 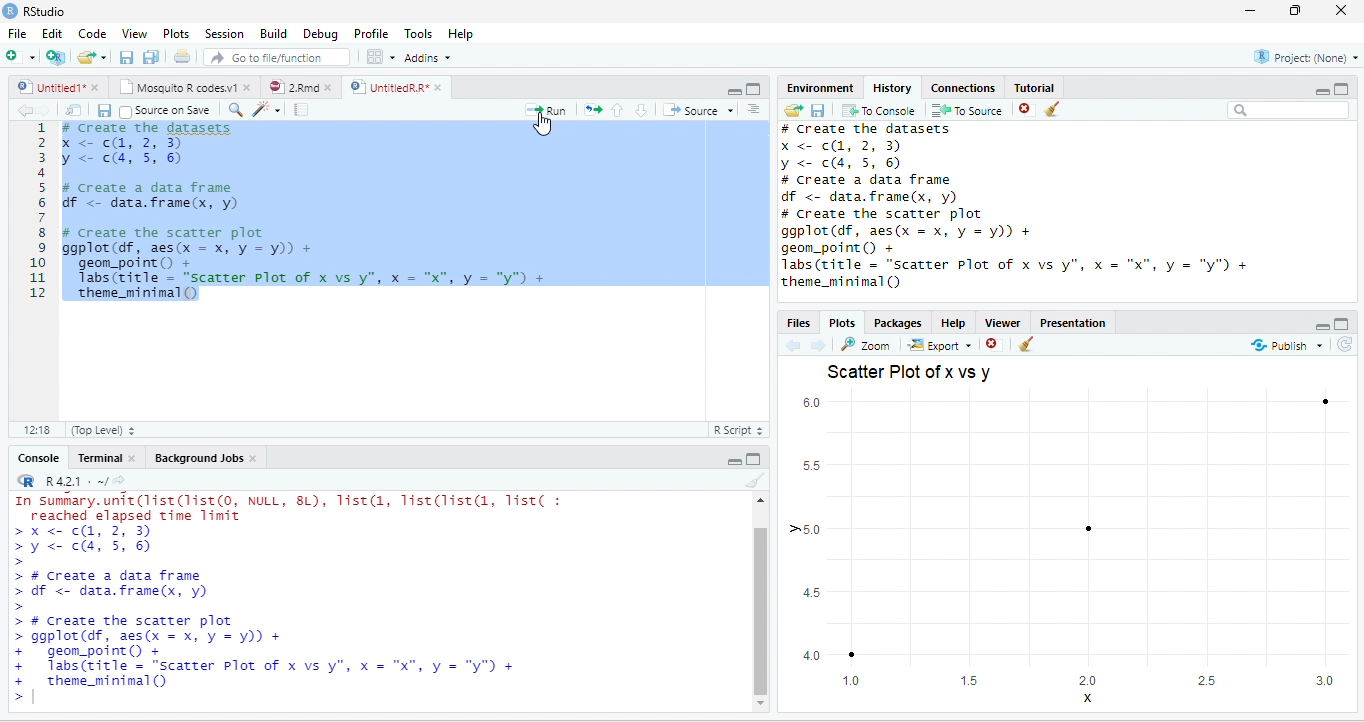 I want to click on Background Jobs, so click(x=197, y=459).